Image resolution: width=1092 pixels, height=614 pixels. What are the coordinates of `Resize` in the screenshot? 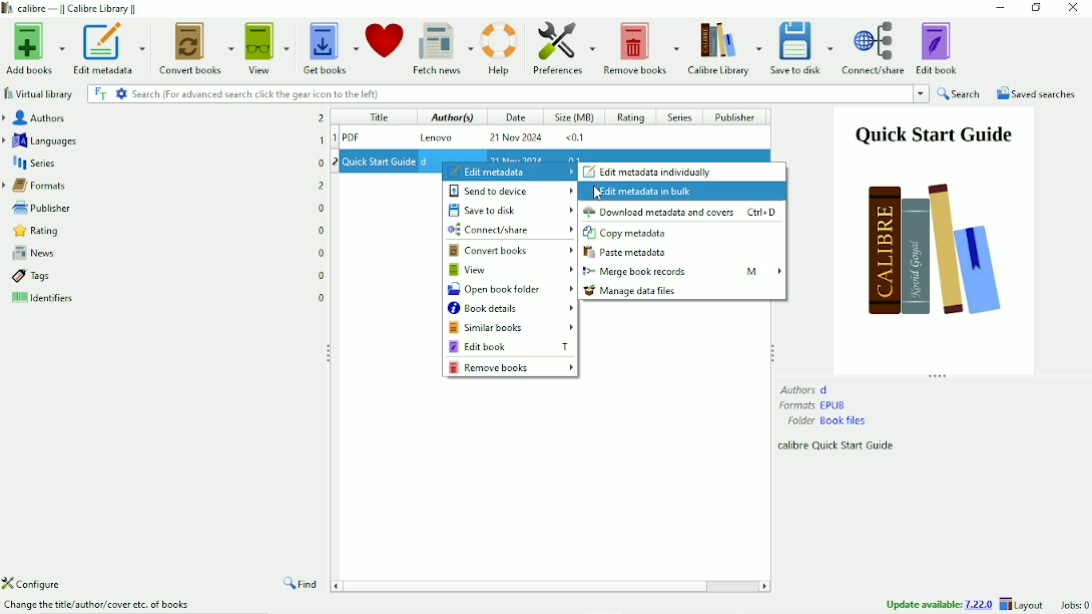 It's located at (772, 351).